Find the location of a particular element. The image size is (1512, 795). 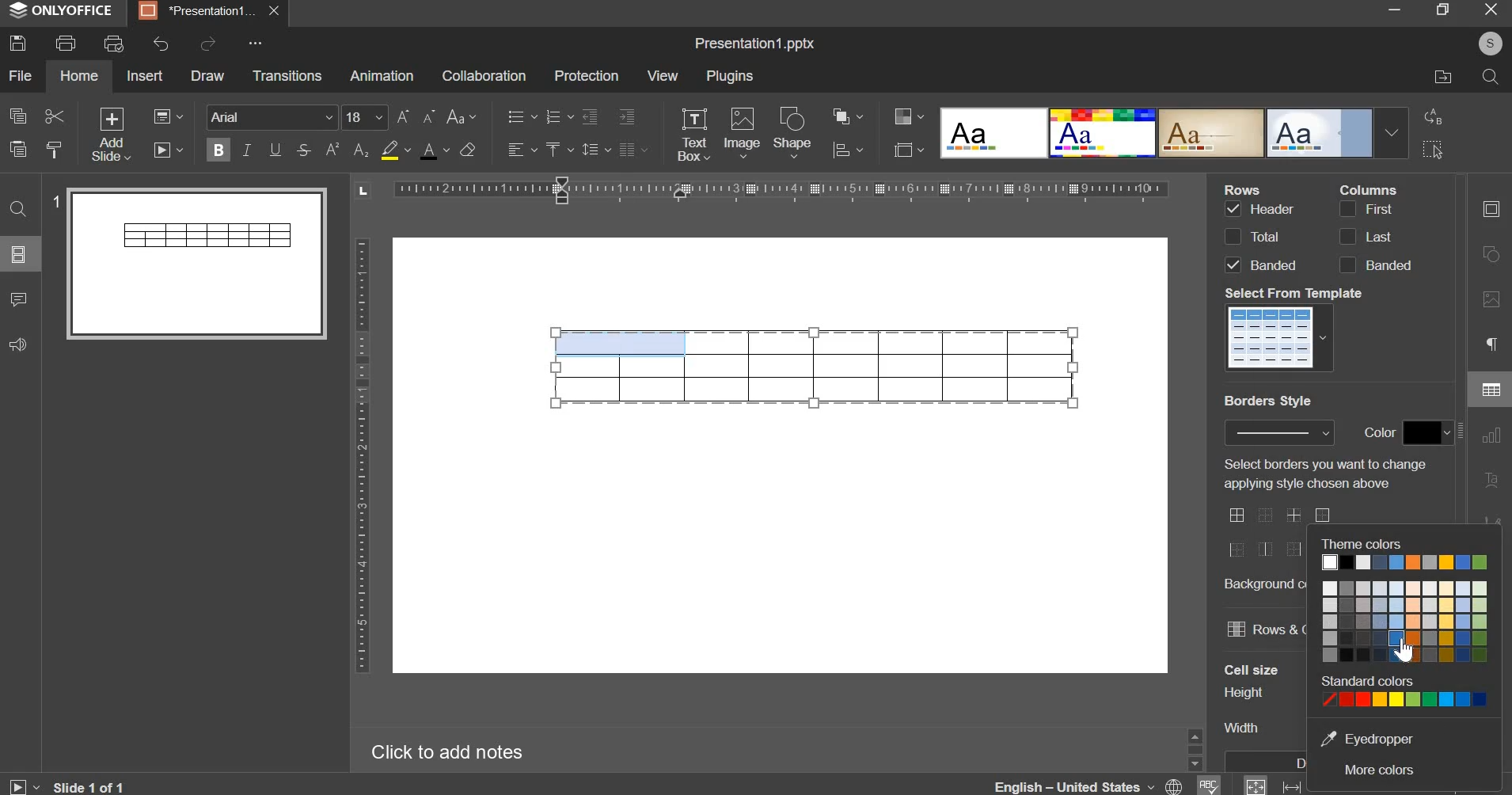

plugins is located at coordinates (731, 76).